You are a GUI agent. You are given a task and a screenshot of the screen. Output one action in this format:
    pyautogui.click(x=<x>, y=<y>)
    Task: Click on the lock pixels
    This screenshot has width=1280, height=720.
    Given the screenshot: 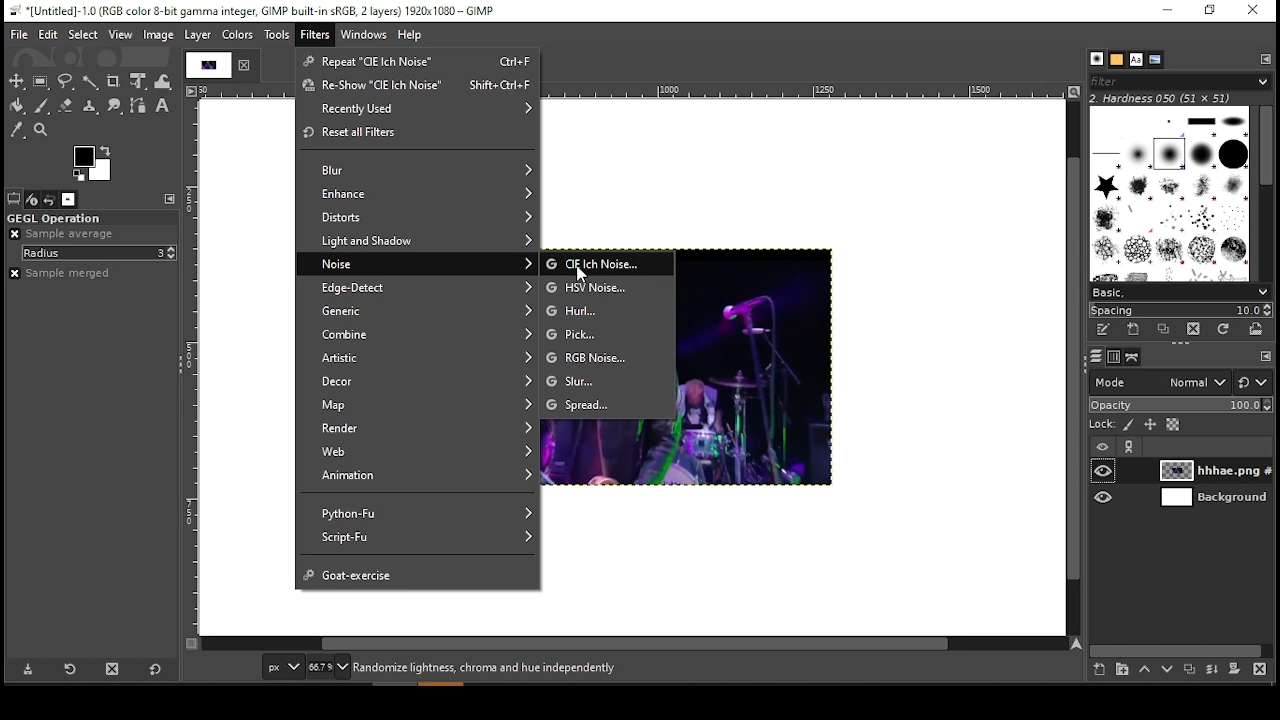 What is the action you would take?
    pyautogui.click(x=1126, y=425)
    